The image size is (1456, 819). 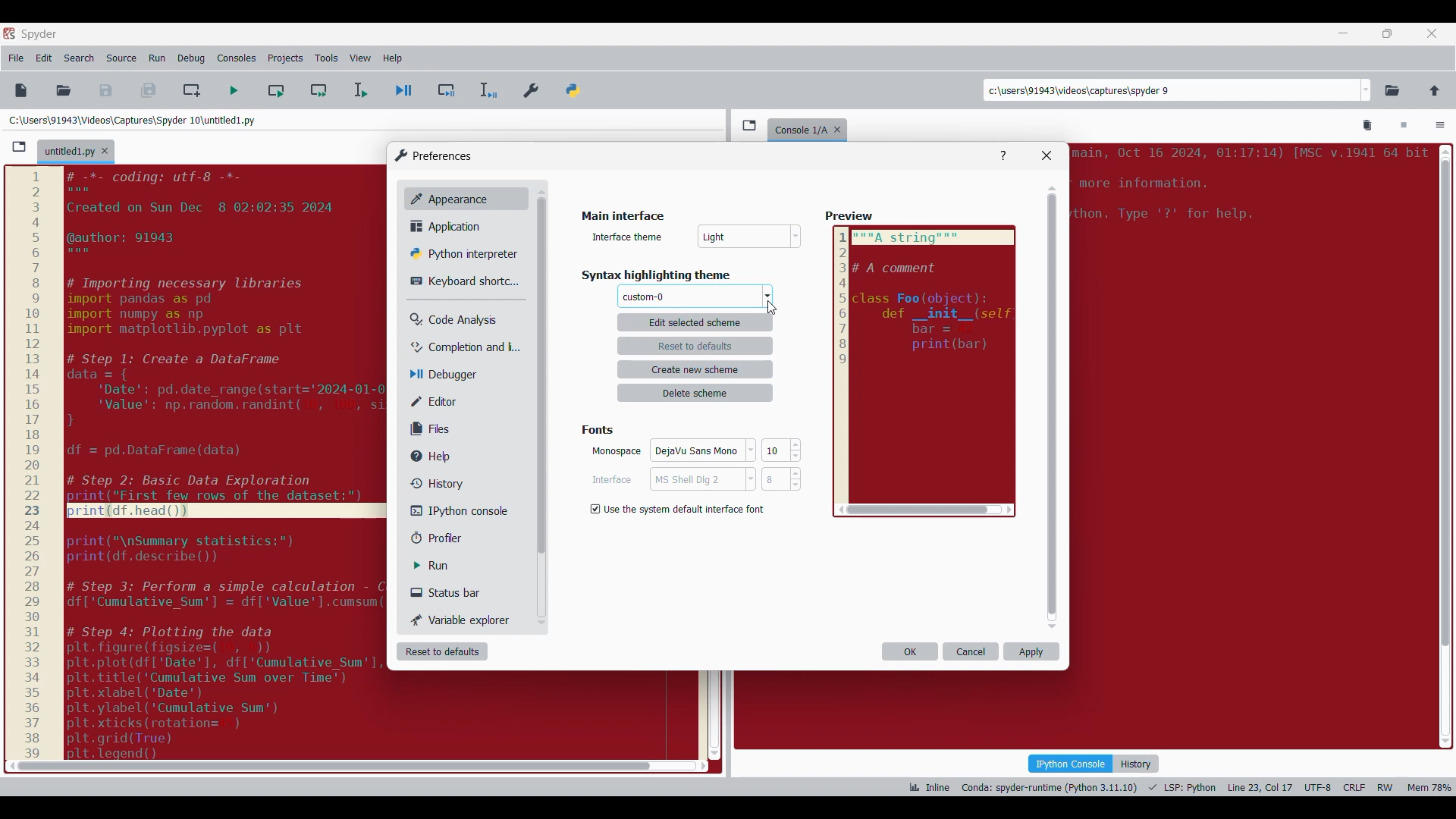 I want to click on Setting options under Background, so click(x=681, y=507).